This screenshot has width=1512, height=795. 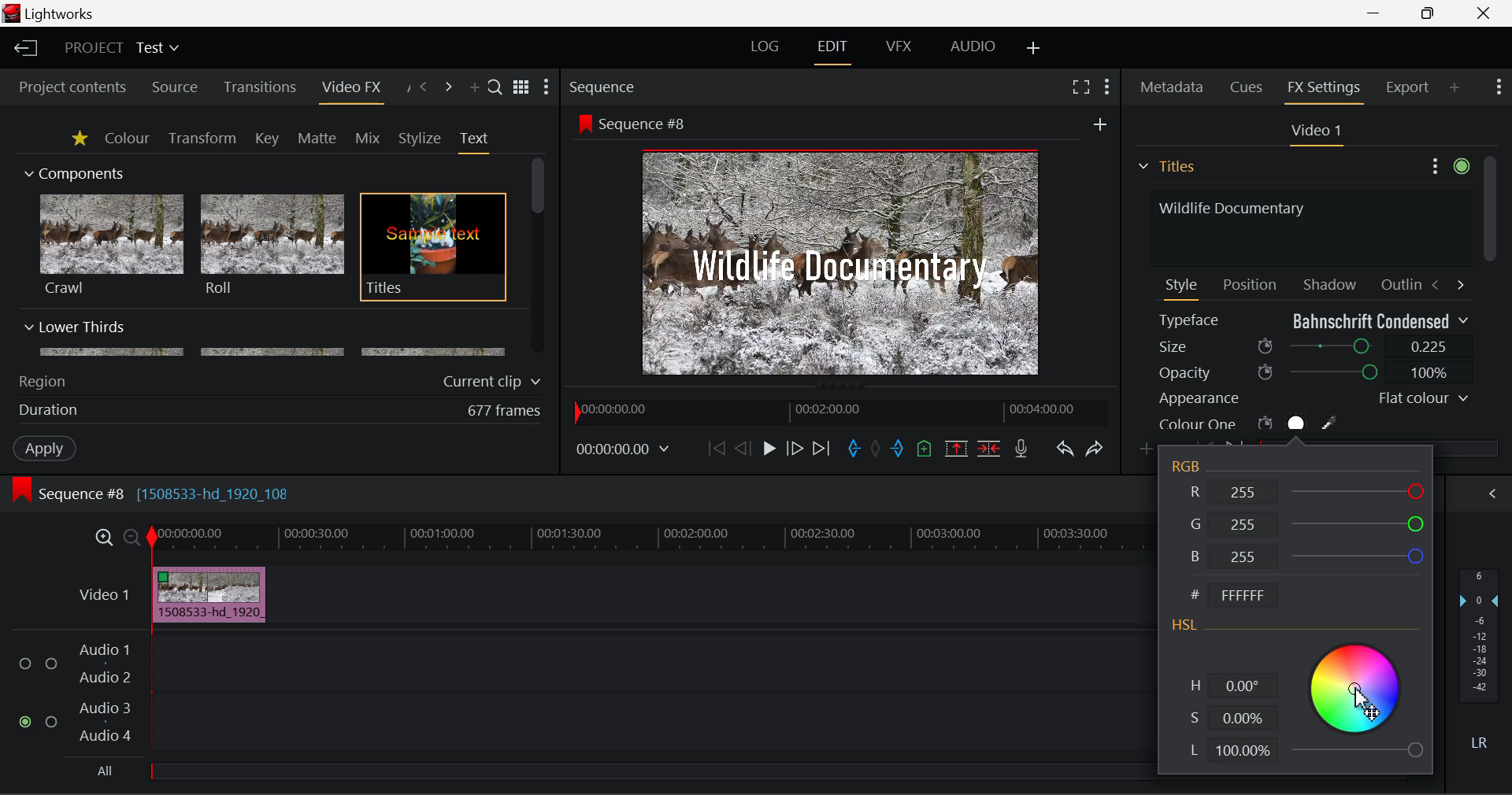 What do you see at coordinates (539, 257) in the screenshot?
I see `Scroll Bar` at bounding box center [539, 257].